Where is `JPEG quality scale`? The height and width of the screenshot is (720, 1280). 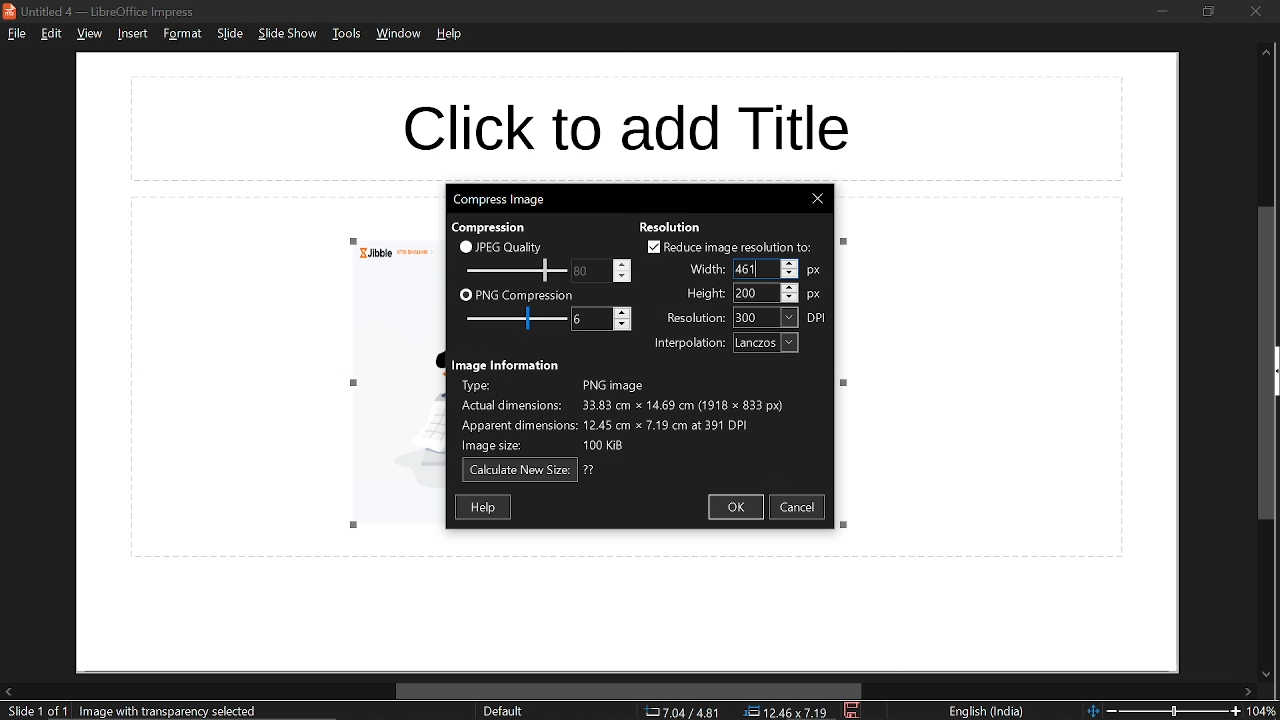 JPEG quality scale is located at coordinates (517, 269).